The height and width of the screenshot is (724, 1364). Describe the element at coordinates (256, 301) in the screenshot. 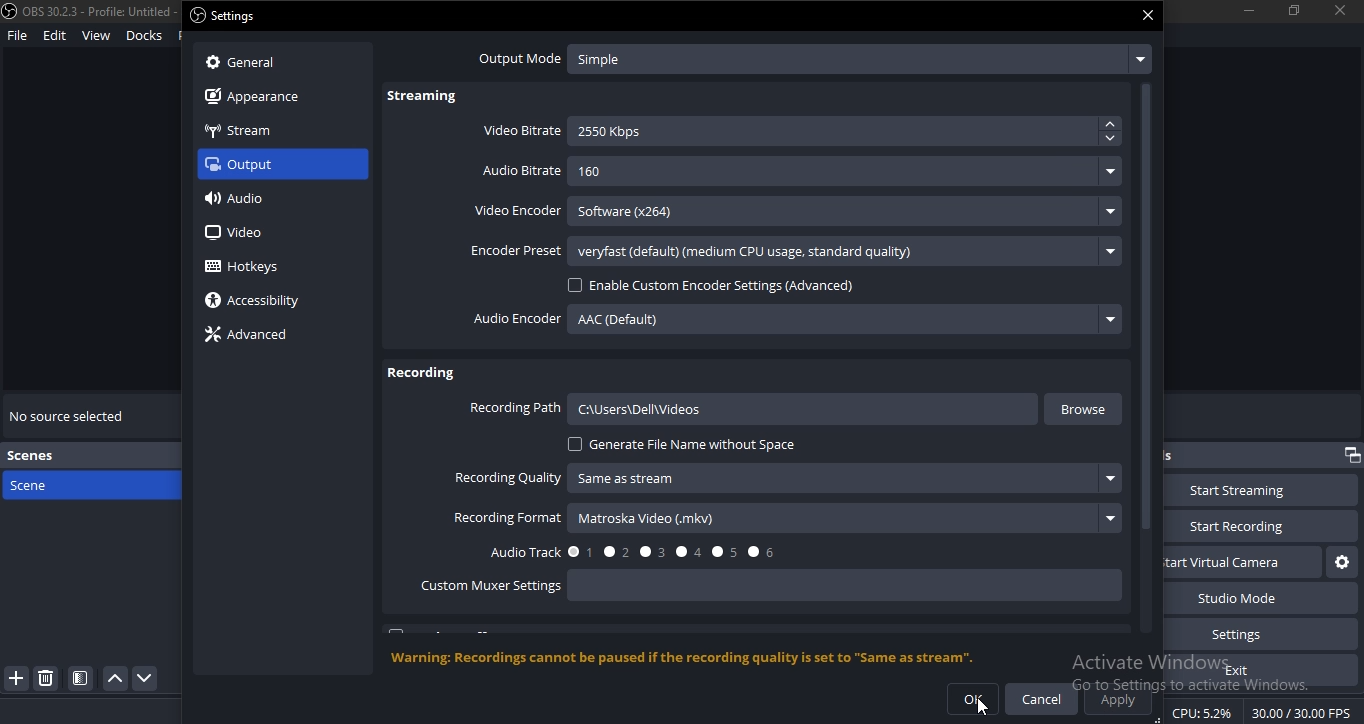

I see `accessiblity` at that location.